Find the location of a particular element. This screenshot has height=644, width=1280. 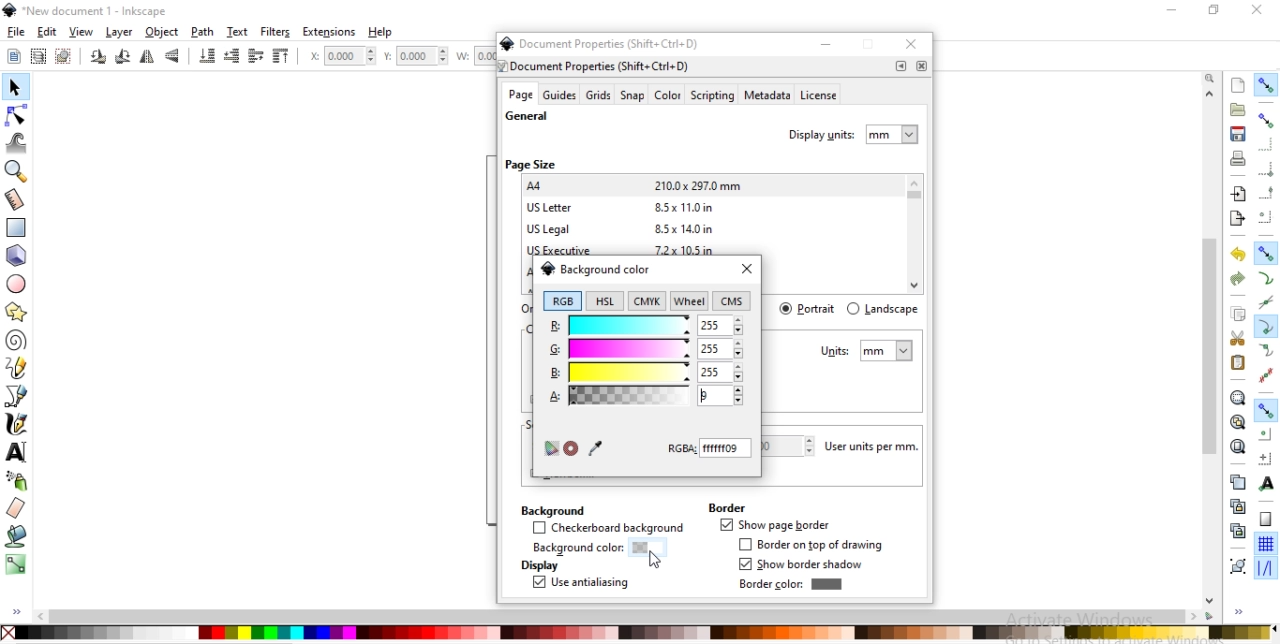

create reectangle or squares is located at coordinates (16, 226).